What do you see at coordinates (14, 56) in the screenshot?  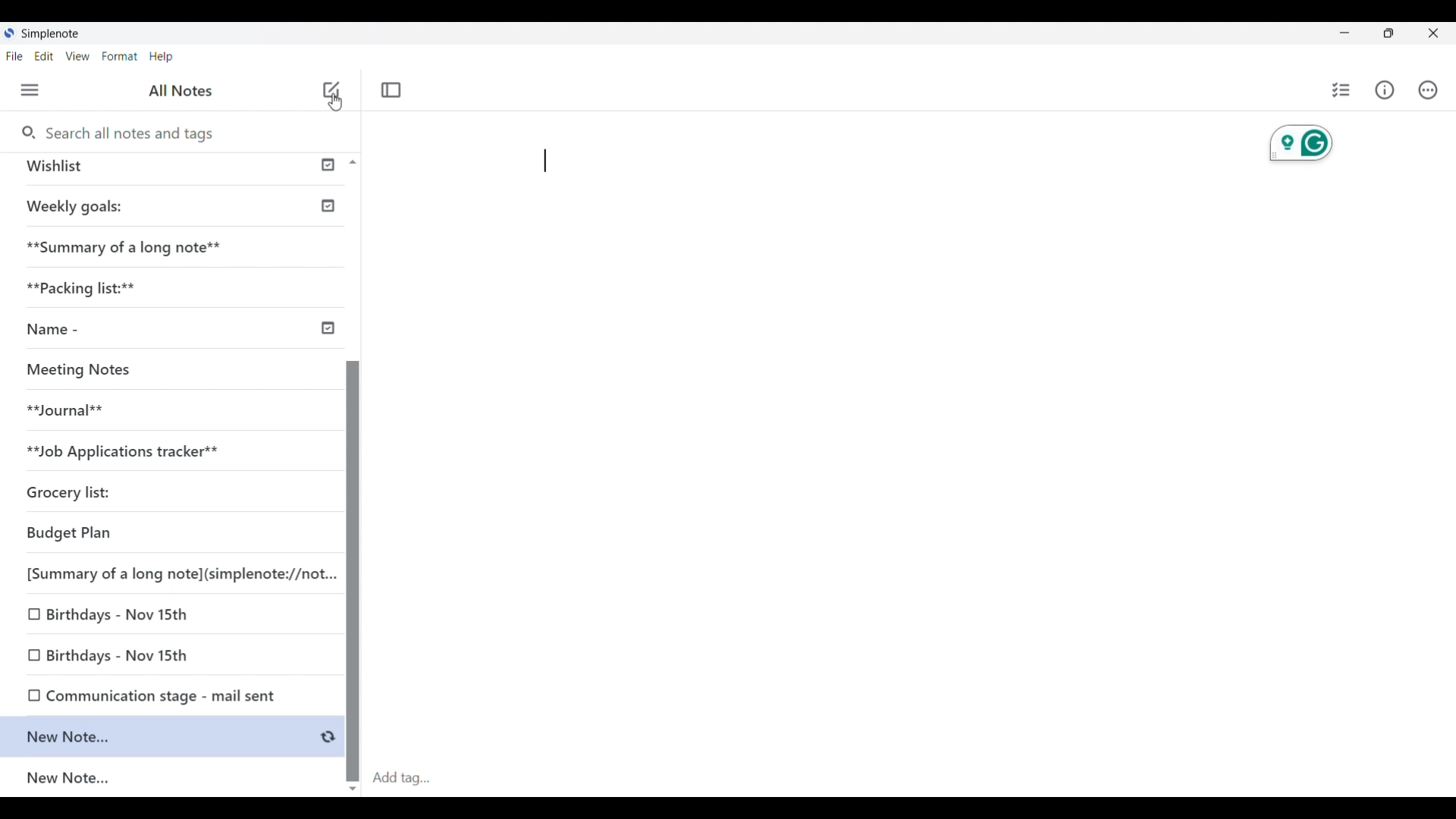 I see `File menu` at bounding box center [14, 56].